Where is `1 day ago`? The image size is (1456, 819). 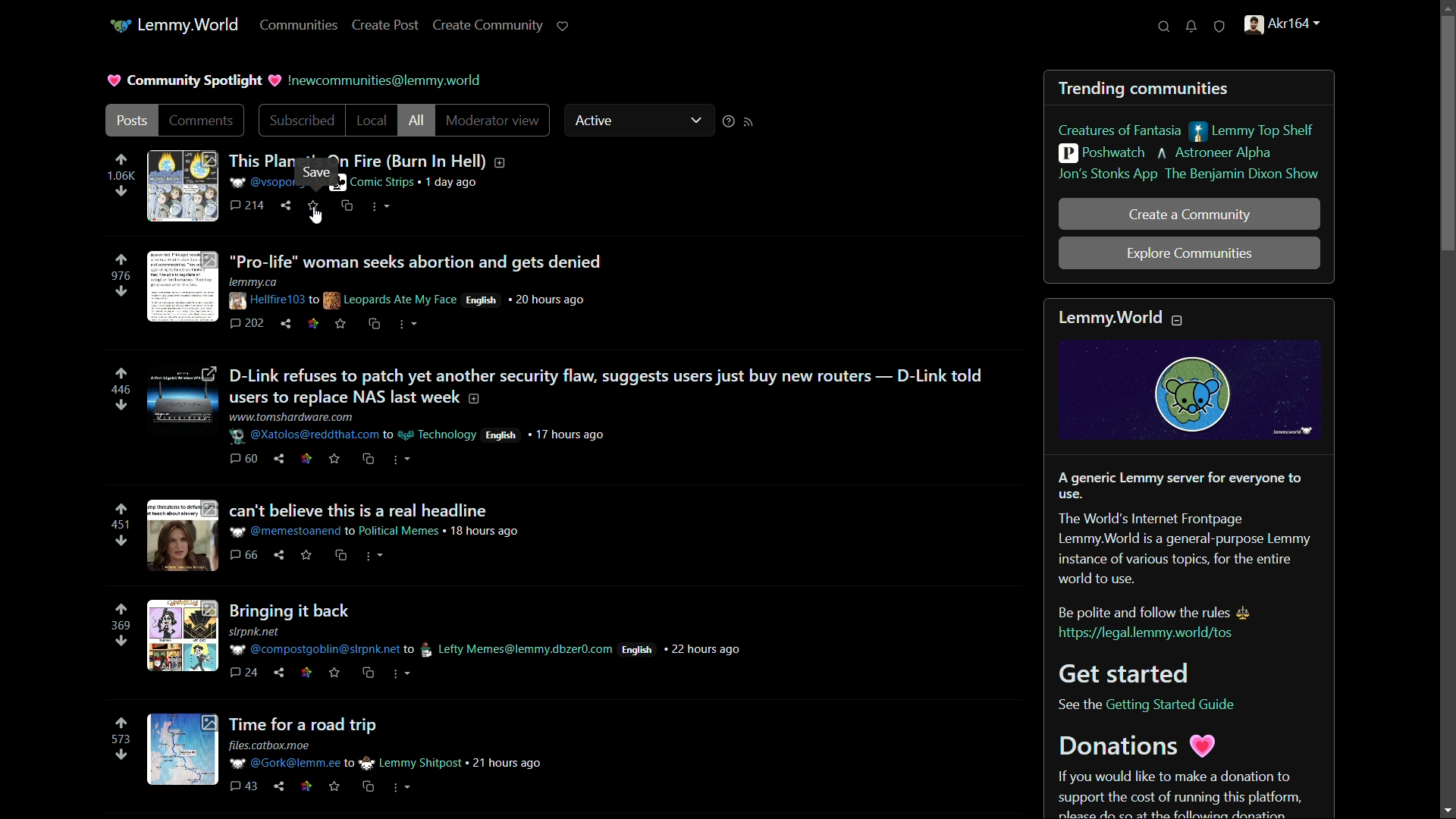 1 day ago is located at coordinates (453, 183).